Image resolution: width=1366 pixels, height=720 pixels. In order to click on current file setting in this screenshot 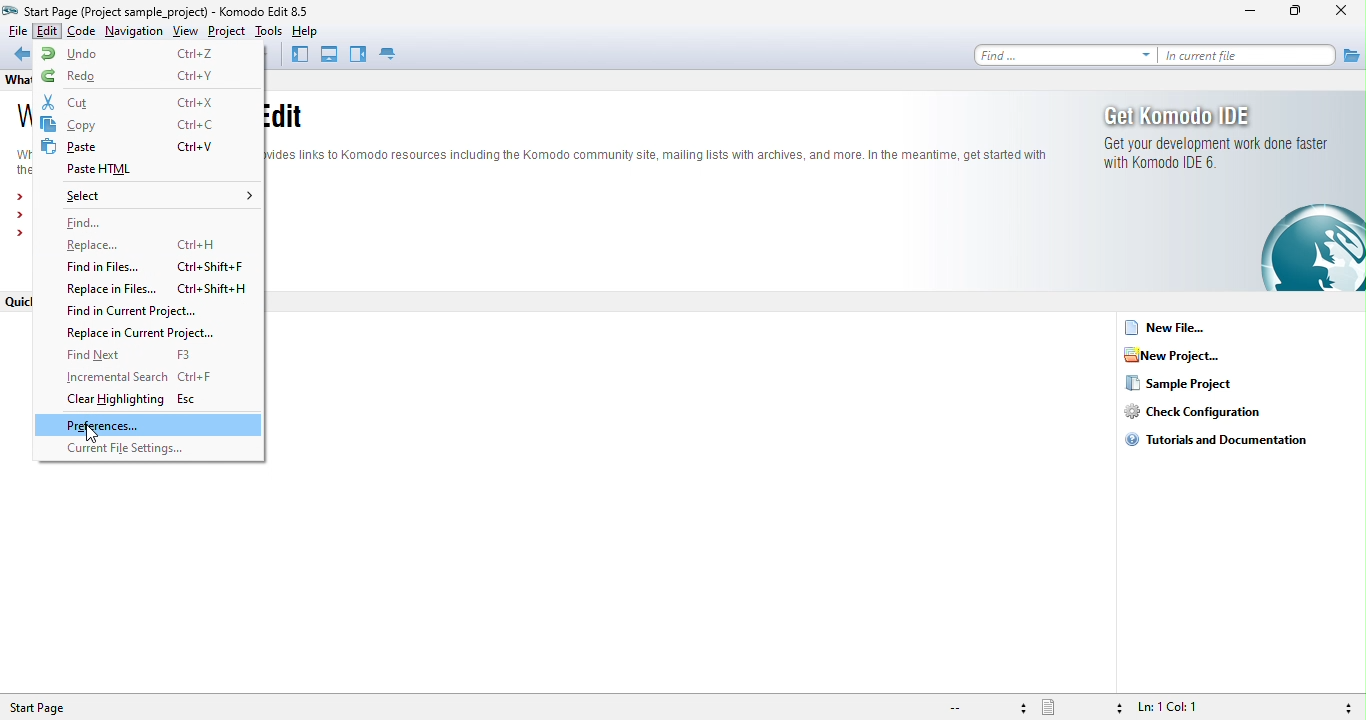, I will do `click(140, 452)`.